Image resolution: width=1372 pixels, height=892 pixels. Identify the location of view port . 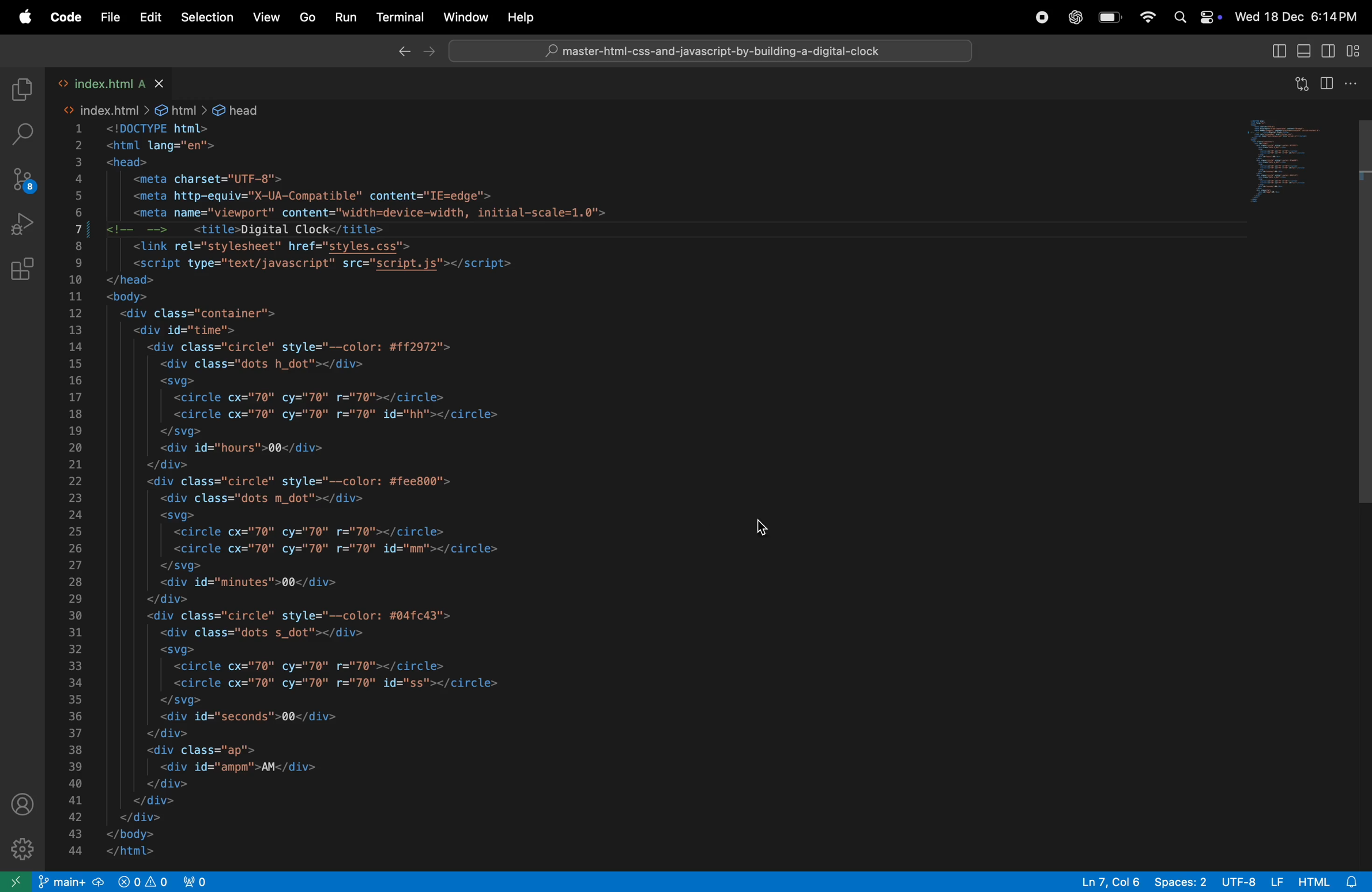
(196, 880).